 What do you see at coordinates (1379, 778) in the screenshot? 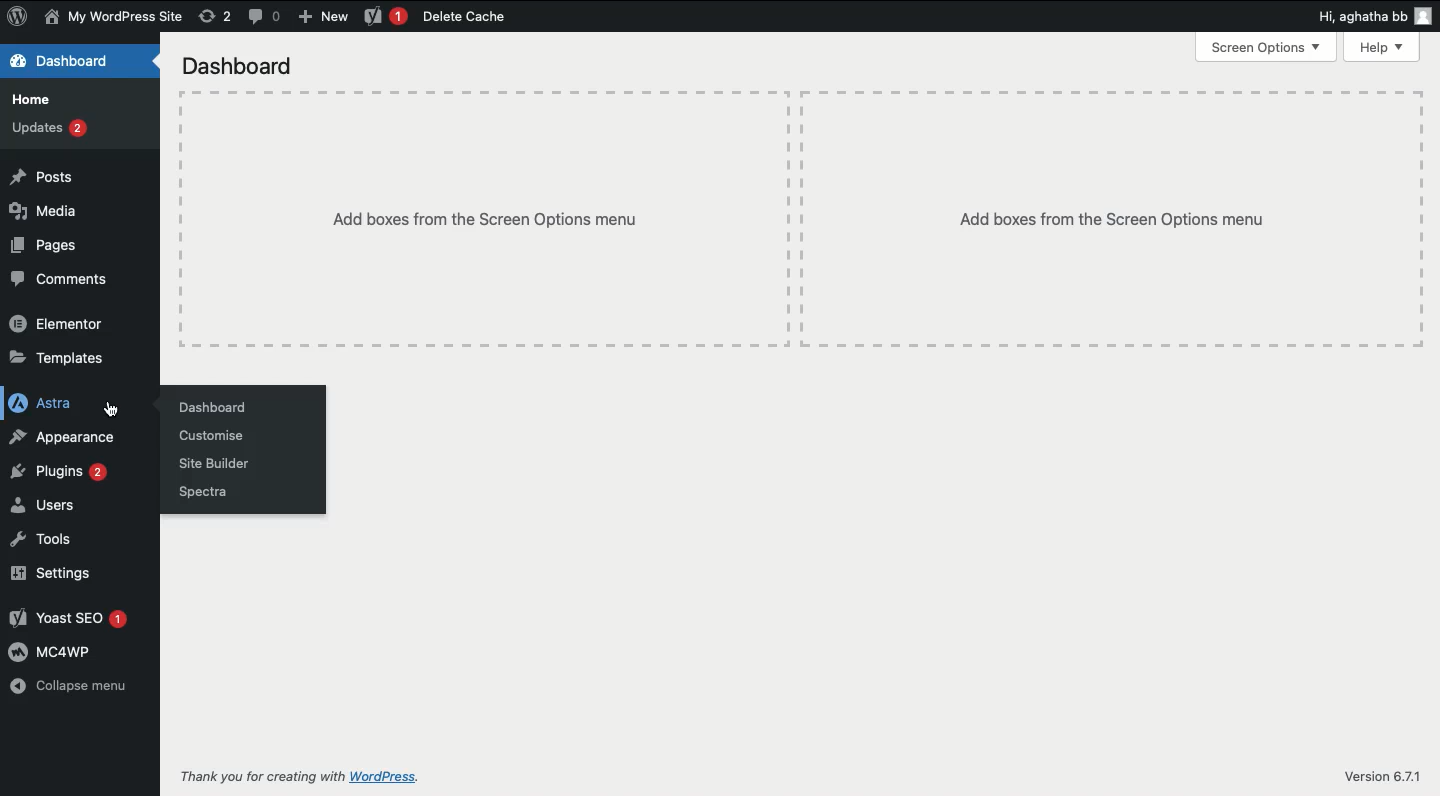
I see `Version 6.71` at bounding box center [1379, 778].